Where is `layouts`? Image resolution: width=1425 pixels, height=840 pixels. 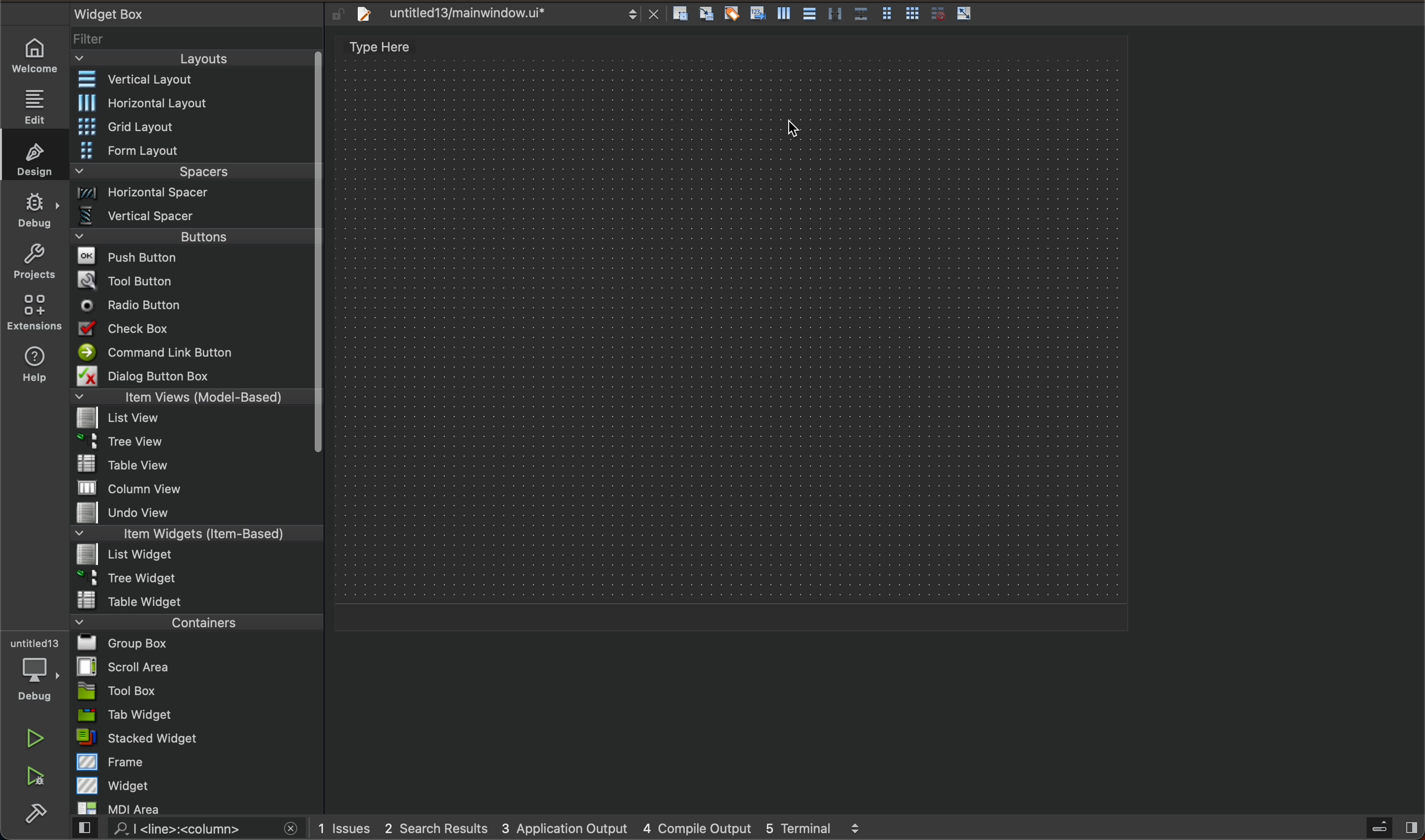 layouts is located at coordinates (197, 58).